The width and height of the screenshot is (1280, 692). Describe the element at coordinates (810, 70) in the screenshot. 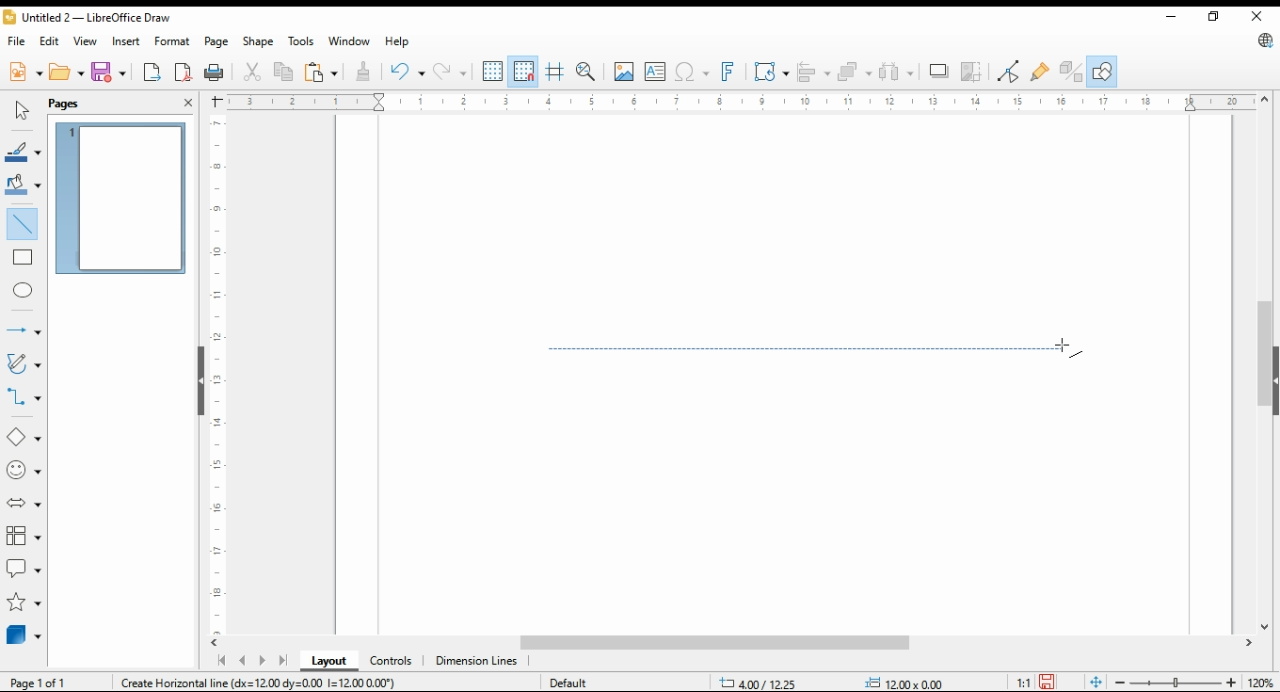

I see `align objects` at that location.